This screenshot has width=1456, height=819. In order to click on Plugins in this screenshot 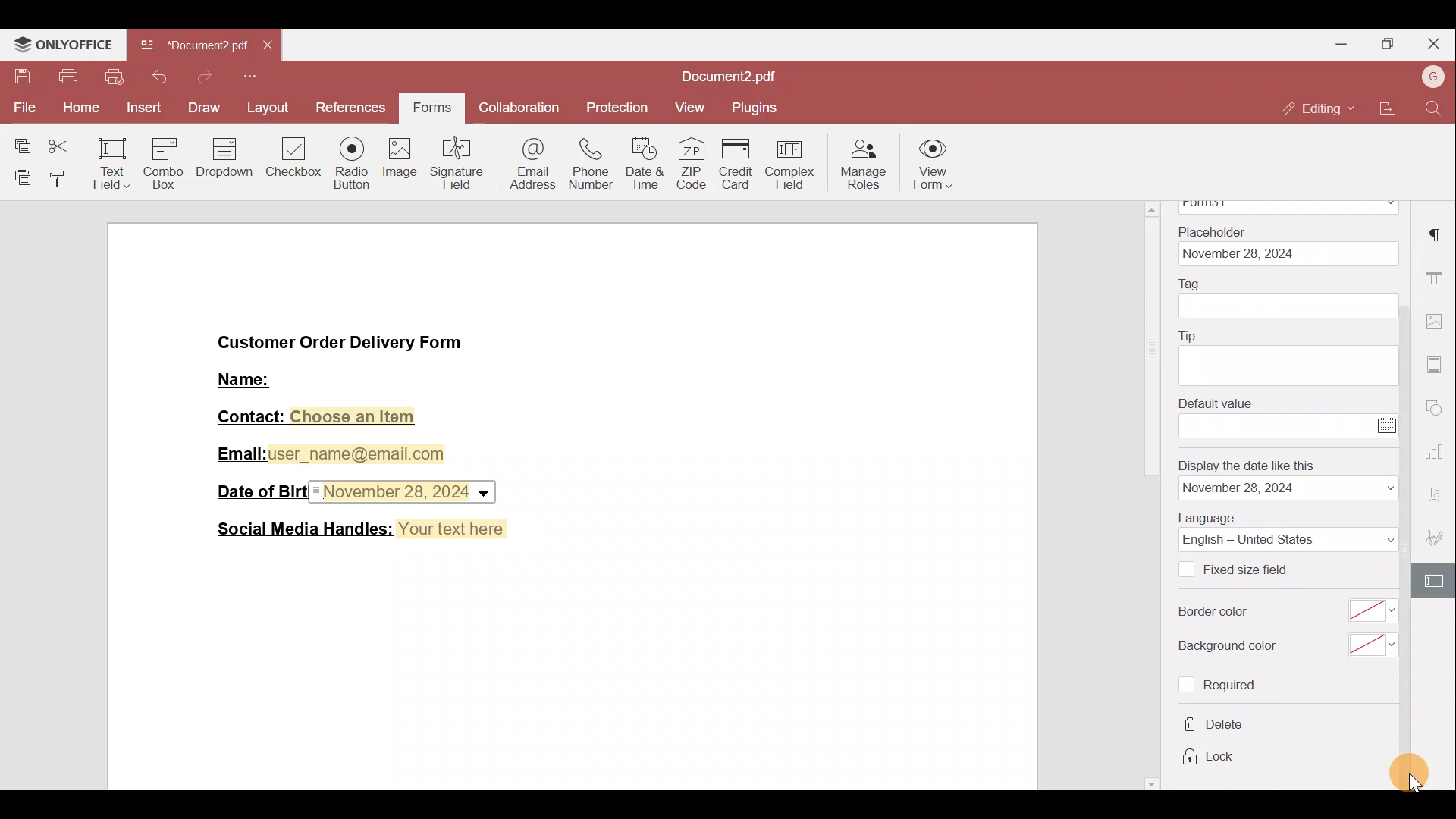, I will do `click(761, 107)`.